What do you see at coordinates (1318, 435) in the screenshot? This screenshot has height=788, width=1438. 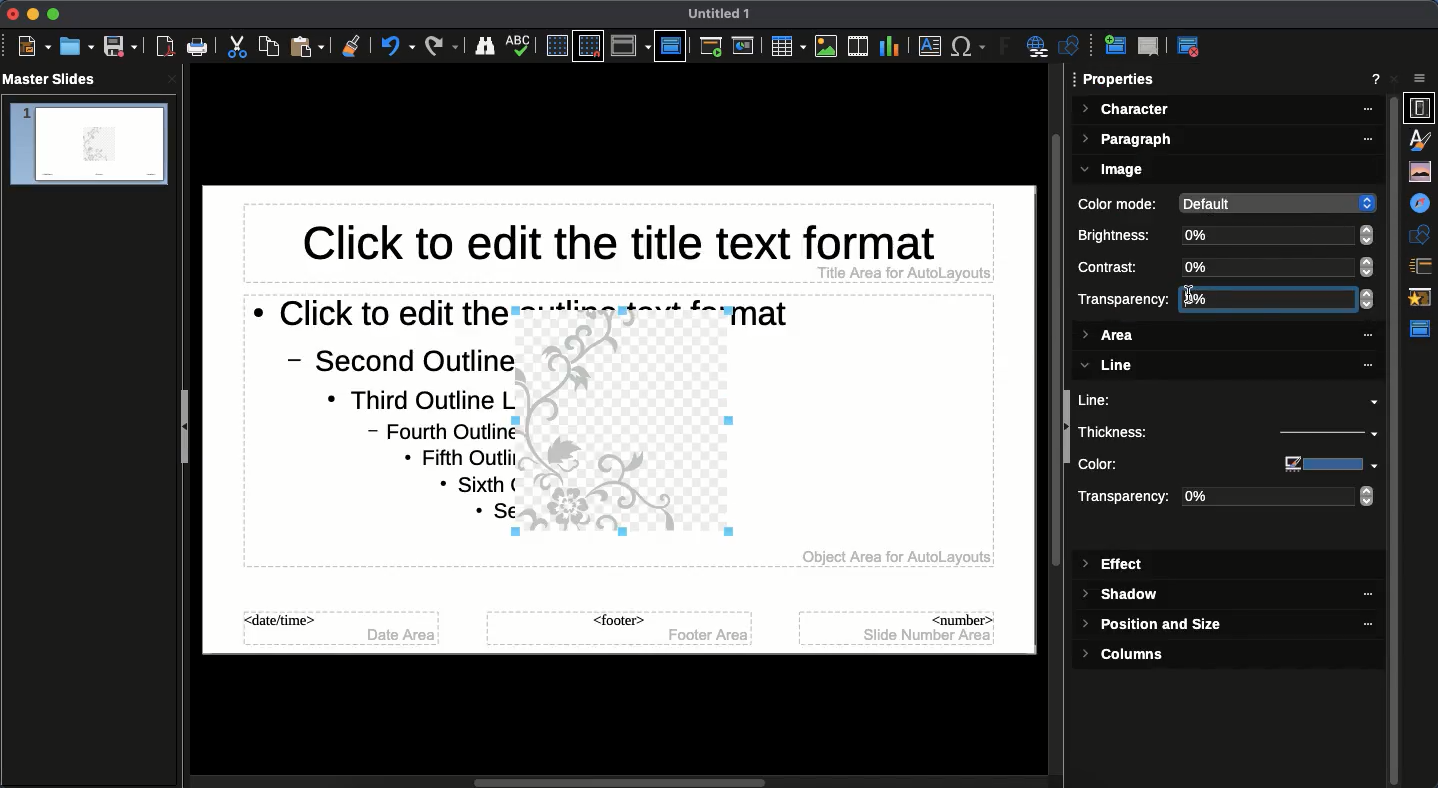 I see `thickness input` at bounding box center [1318, 435].